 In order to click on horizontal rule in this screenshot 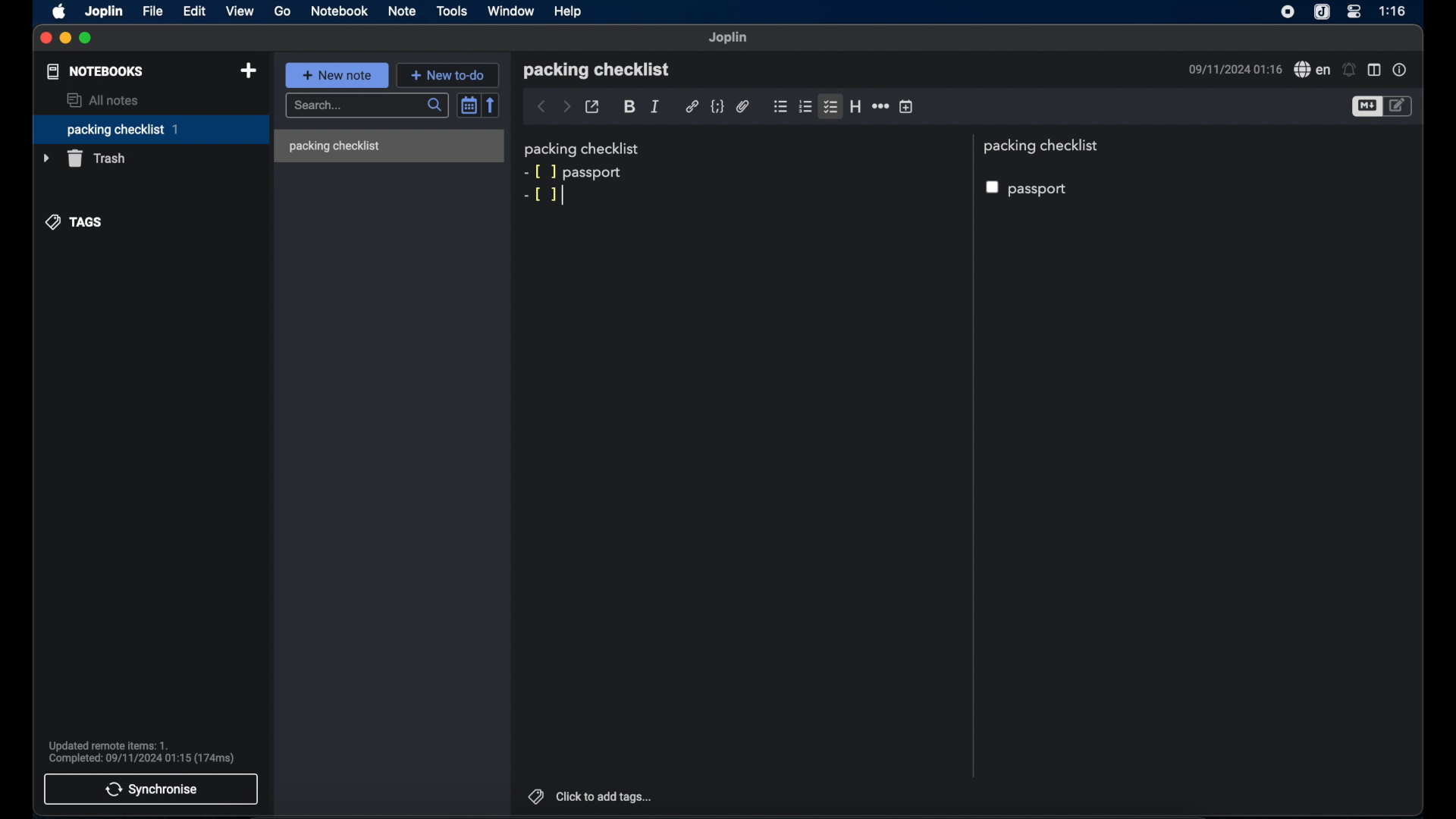, I will do `click(880, 107)`.